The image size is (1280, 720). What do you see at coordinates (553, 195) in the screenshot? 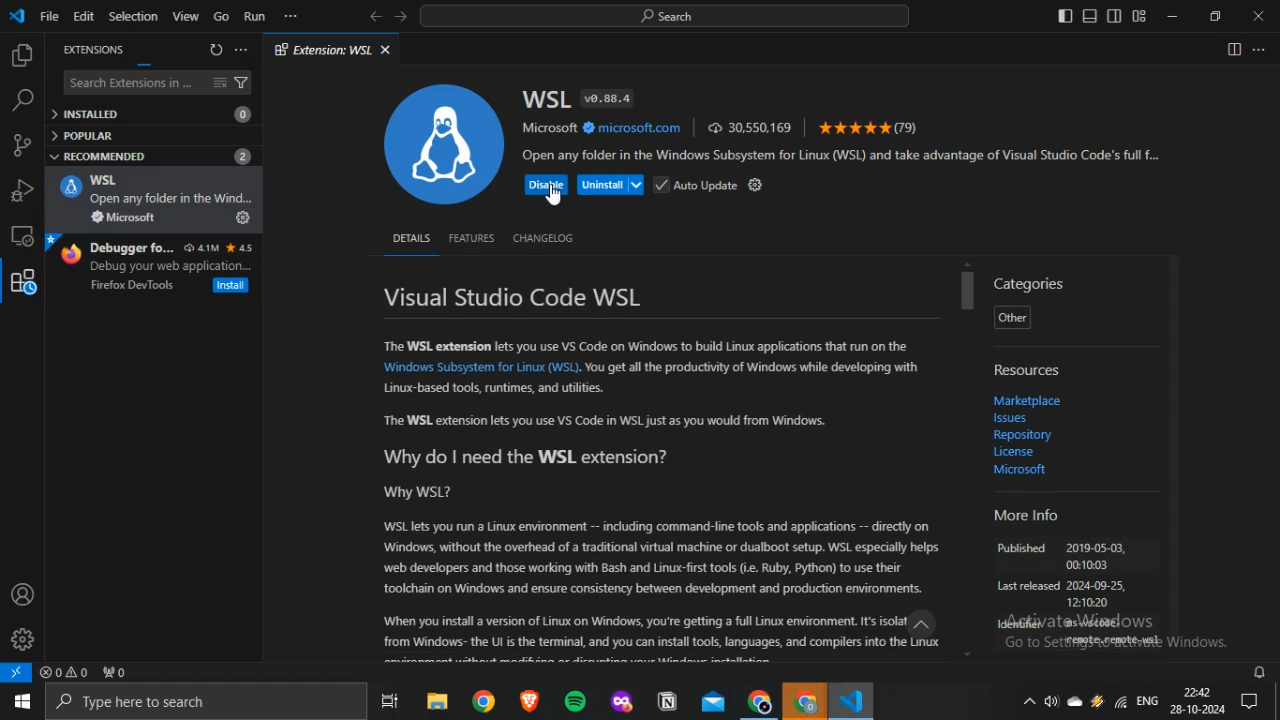
I see `cursor` at bounding box center [553, 195].